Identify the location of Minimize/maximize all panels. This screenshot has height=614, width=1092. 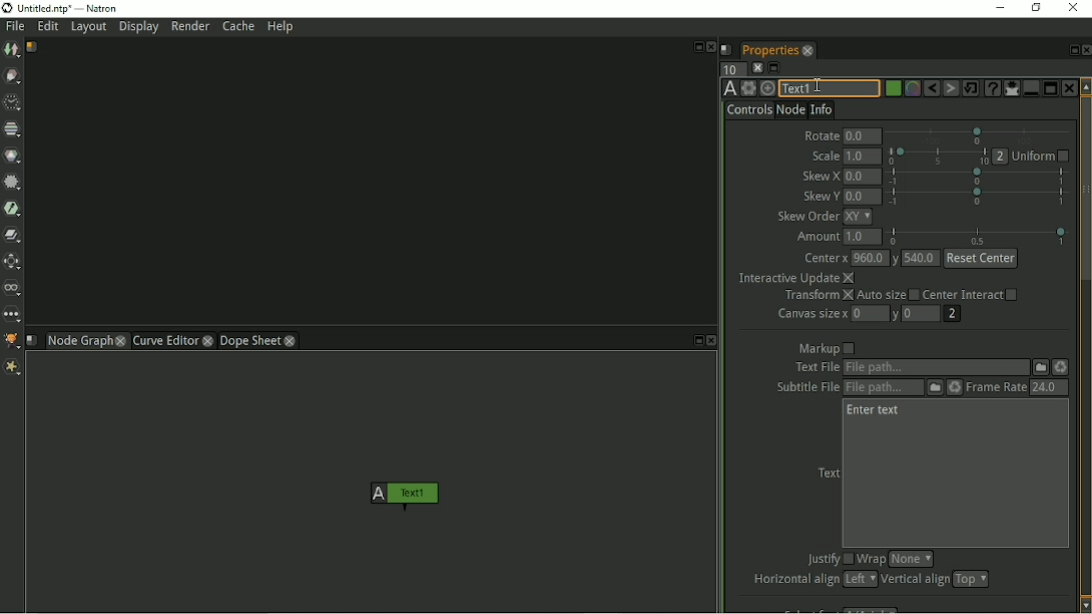
(775, 68).